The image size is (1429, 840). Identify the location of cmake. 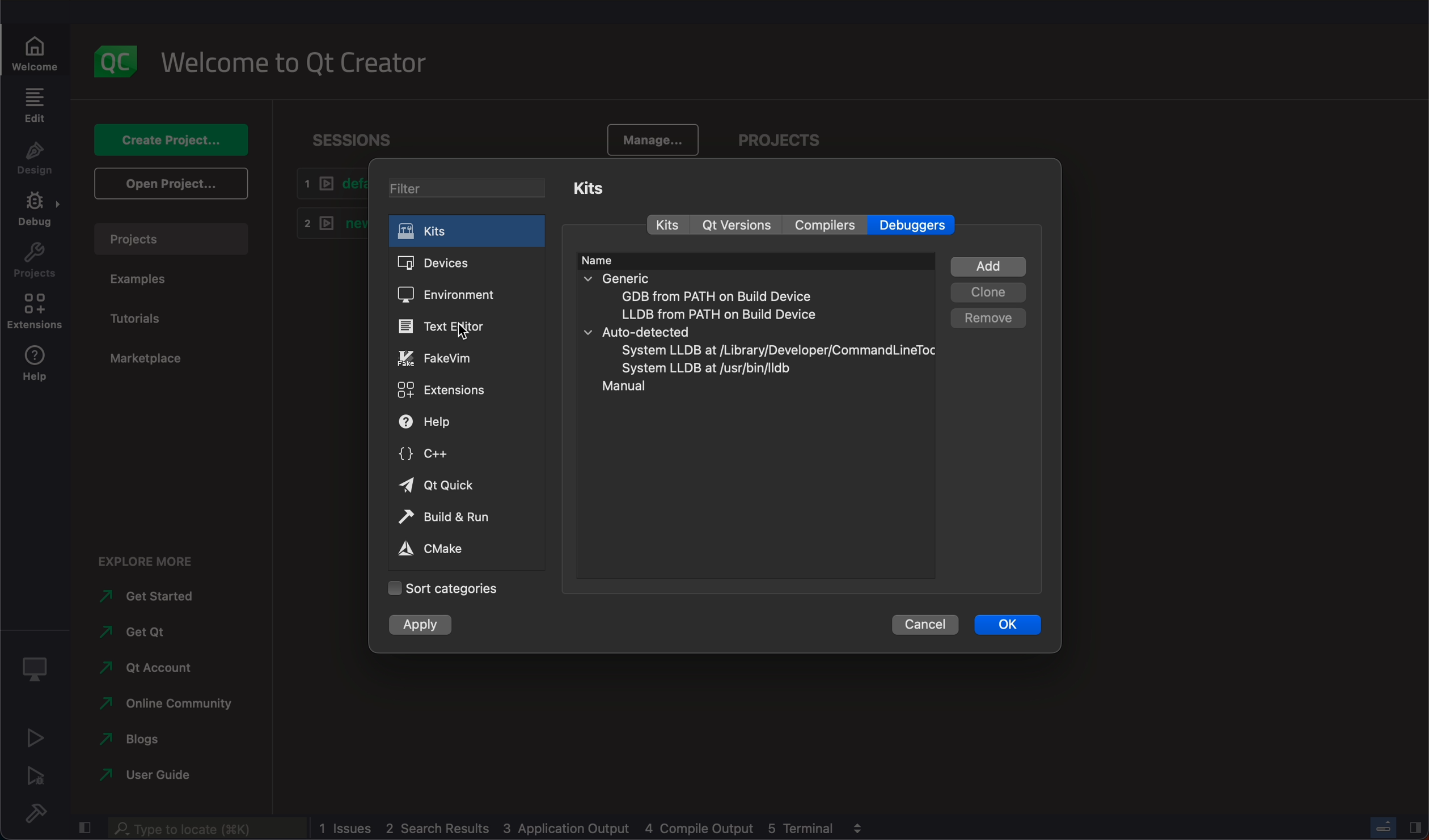
(458, 549).